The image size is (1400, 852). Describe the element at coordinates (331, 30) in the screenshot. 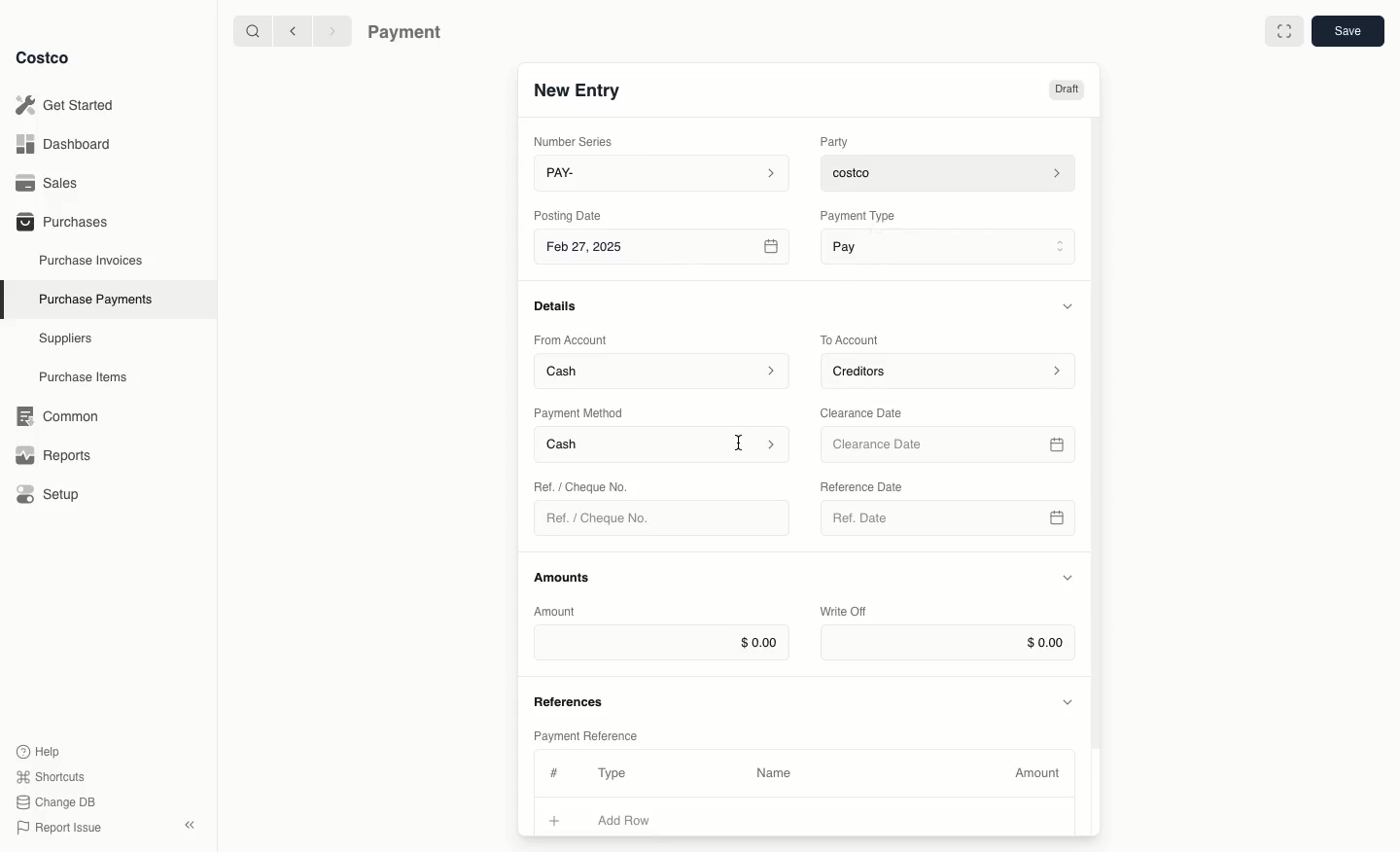

I see `Forward` at that location.